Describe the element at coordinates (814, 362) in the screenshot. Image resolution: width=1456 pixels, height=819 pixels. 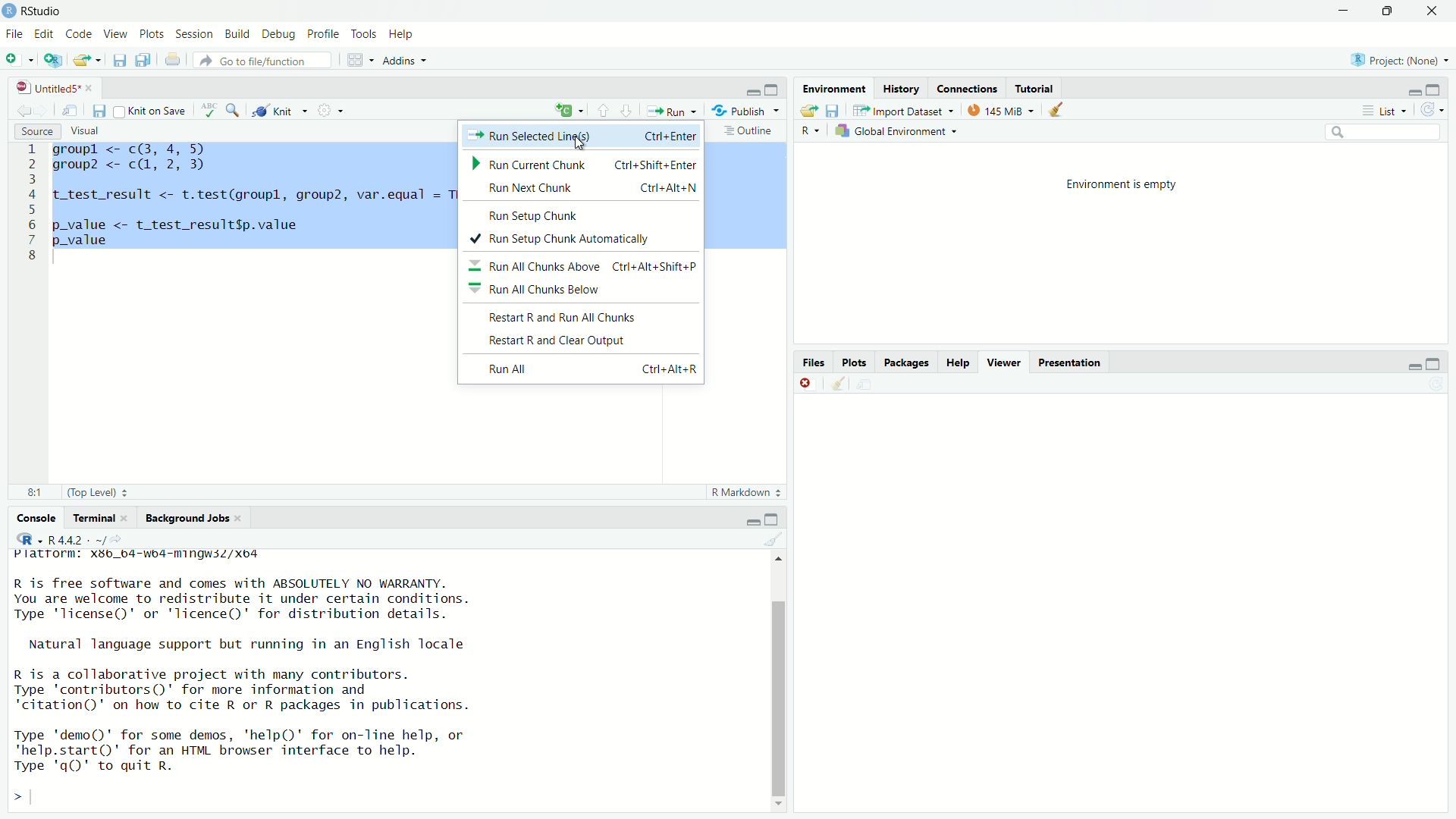
I see `Files` at that location.